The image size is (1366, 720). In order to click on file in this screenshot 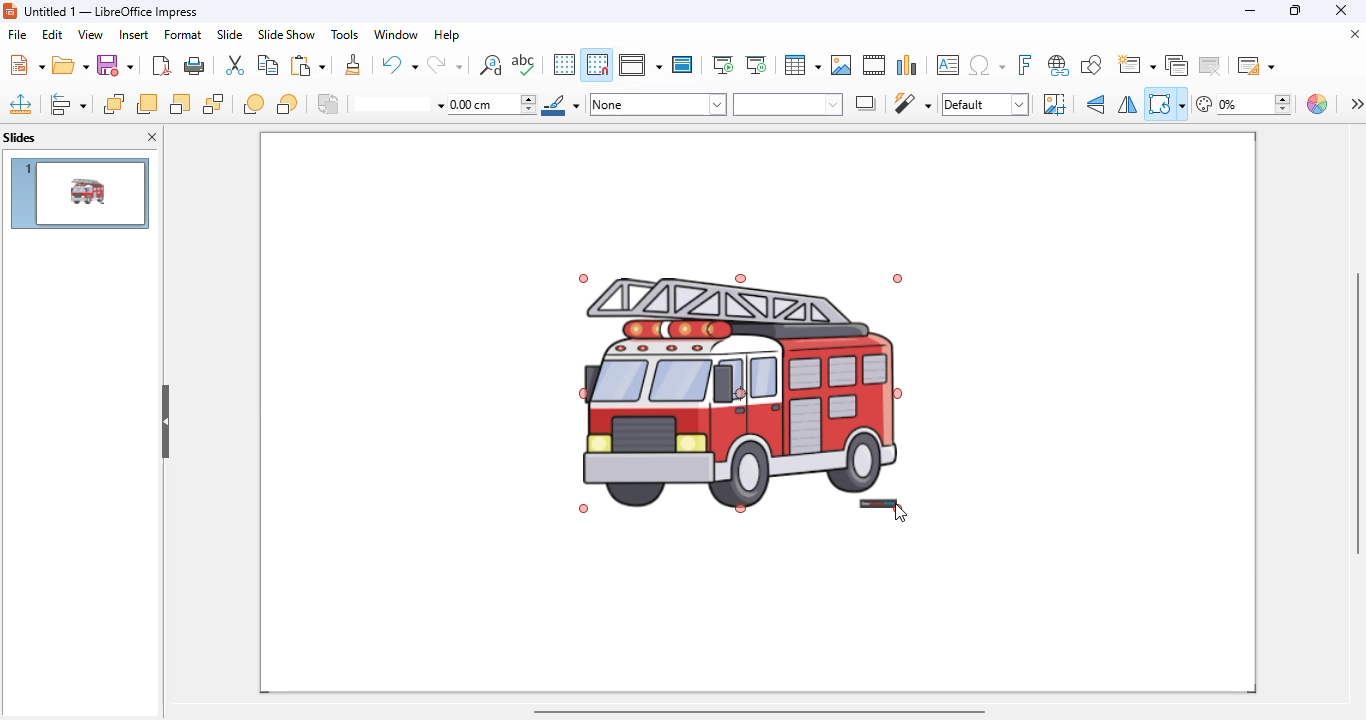, I will do `click(18, 34)`.